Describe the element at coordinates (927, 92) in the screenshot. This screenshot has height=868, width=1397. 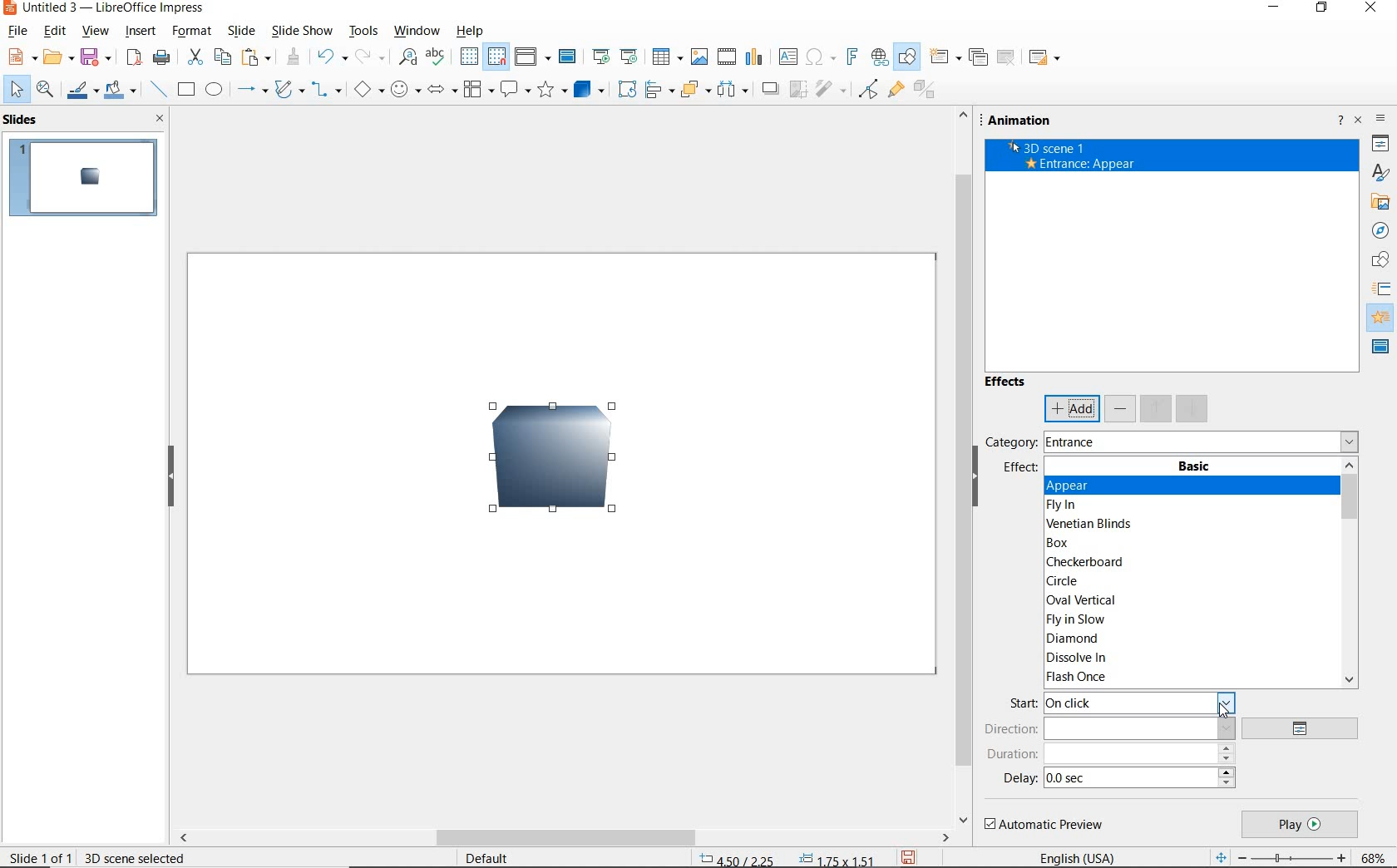
I see `toggle extrusion` at that location.